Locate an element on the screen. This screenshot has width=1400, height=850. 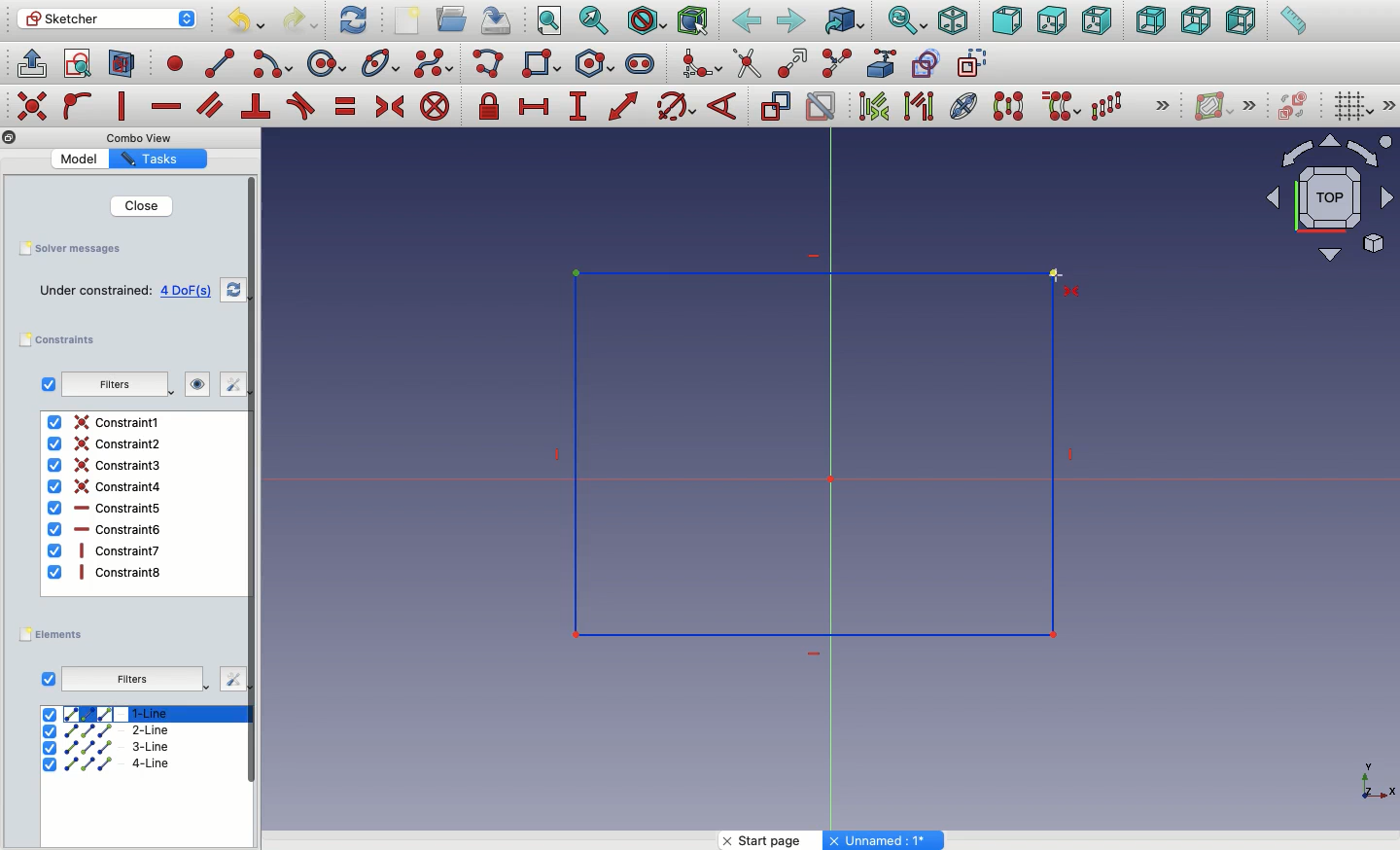
Rectangular array is located at coordinates (1108, 106).